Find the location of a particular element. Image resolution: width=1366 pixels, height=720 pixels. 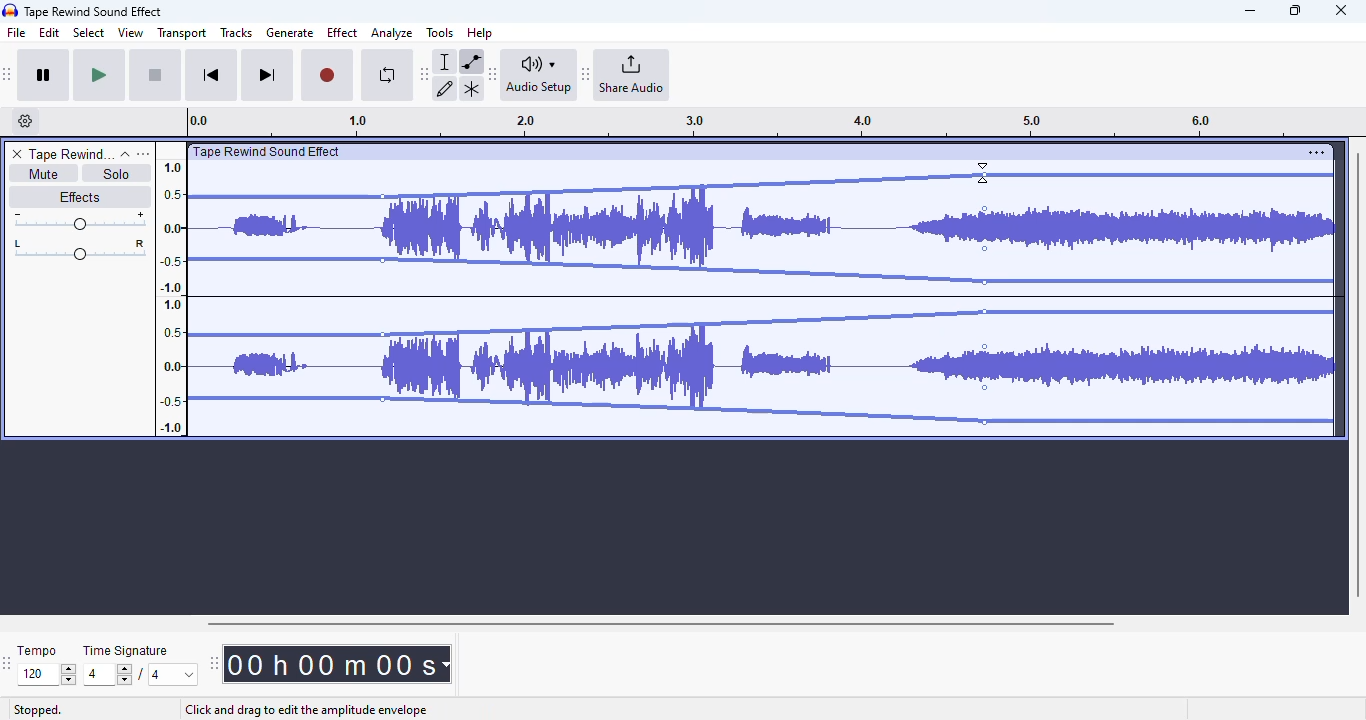

mute is located at coordinates (42, 174).